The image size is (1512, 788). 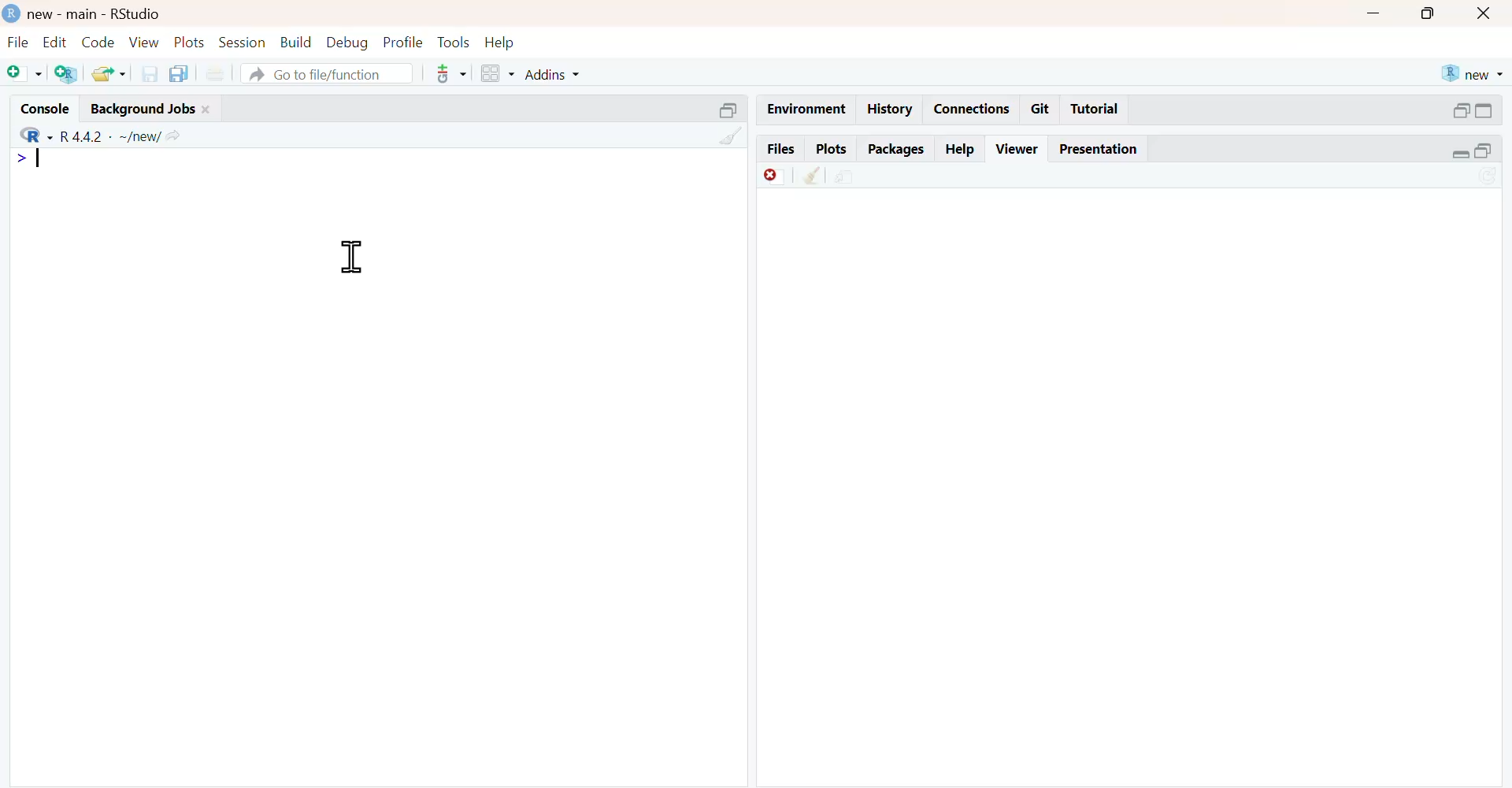 What do you see at coordinates (150, 74) in the screenshot?
I see `save` at bounding box center [150, 74].